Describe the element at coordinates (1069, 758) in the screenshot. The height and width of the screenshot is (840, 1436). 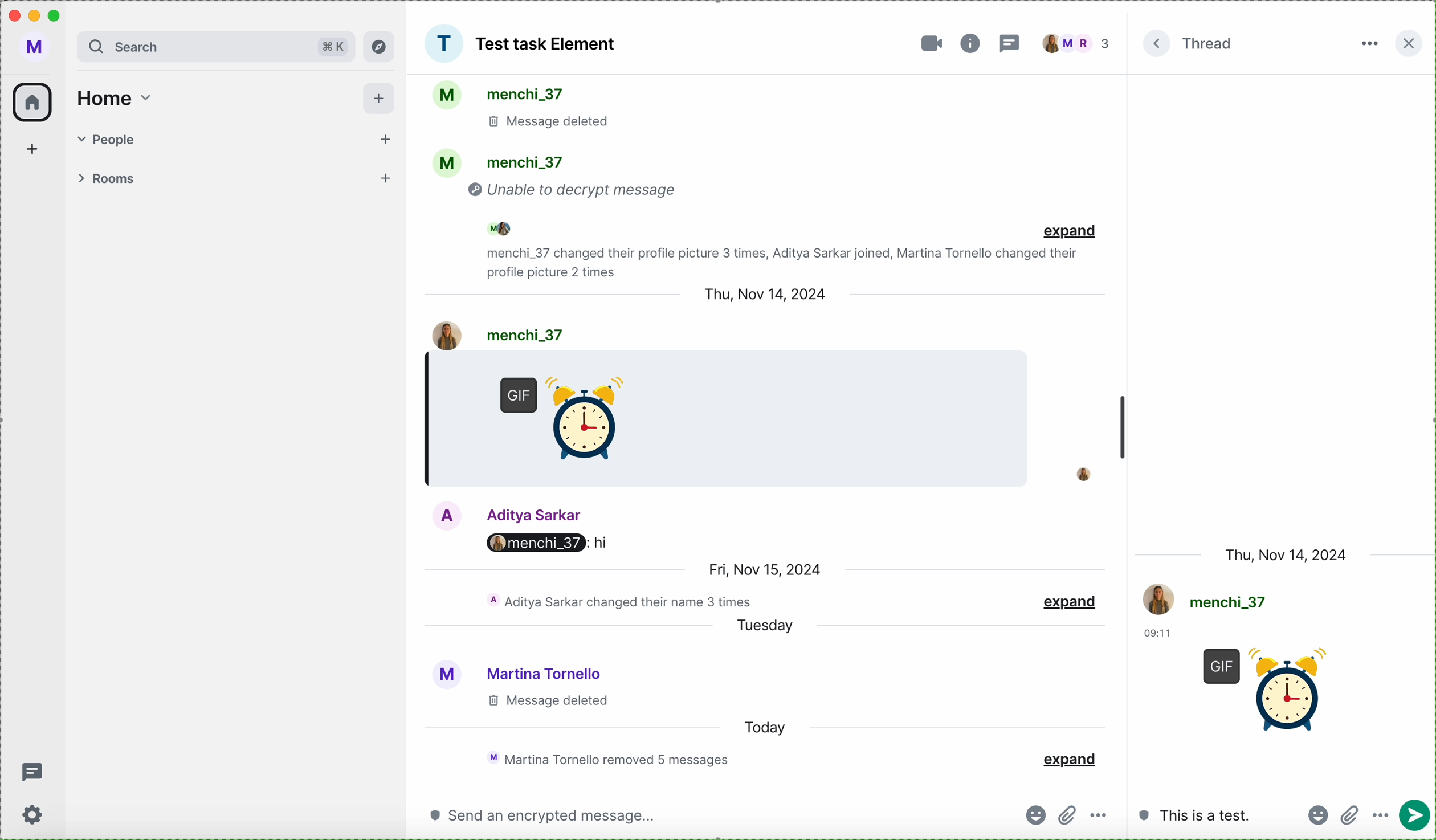
I see `expand` at that location.